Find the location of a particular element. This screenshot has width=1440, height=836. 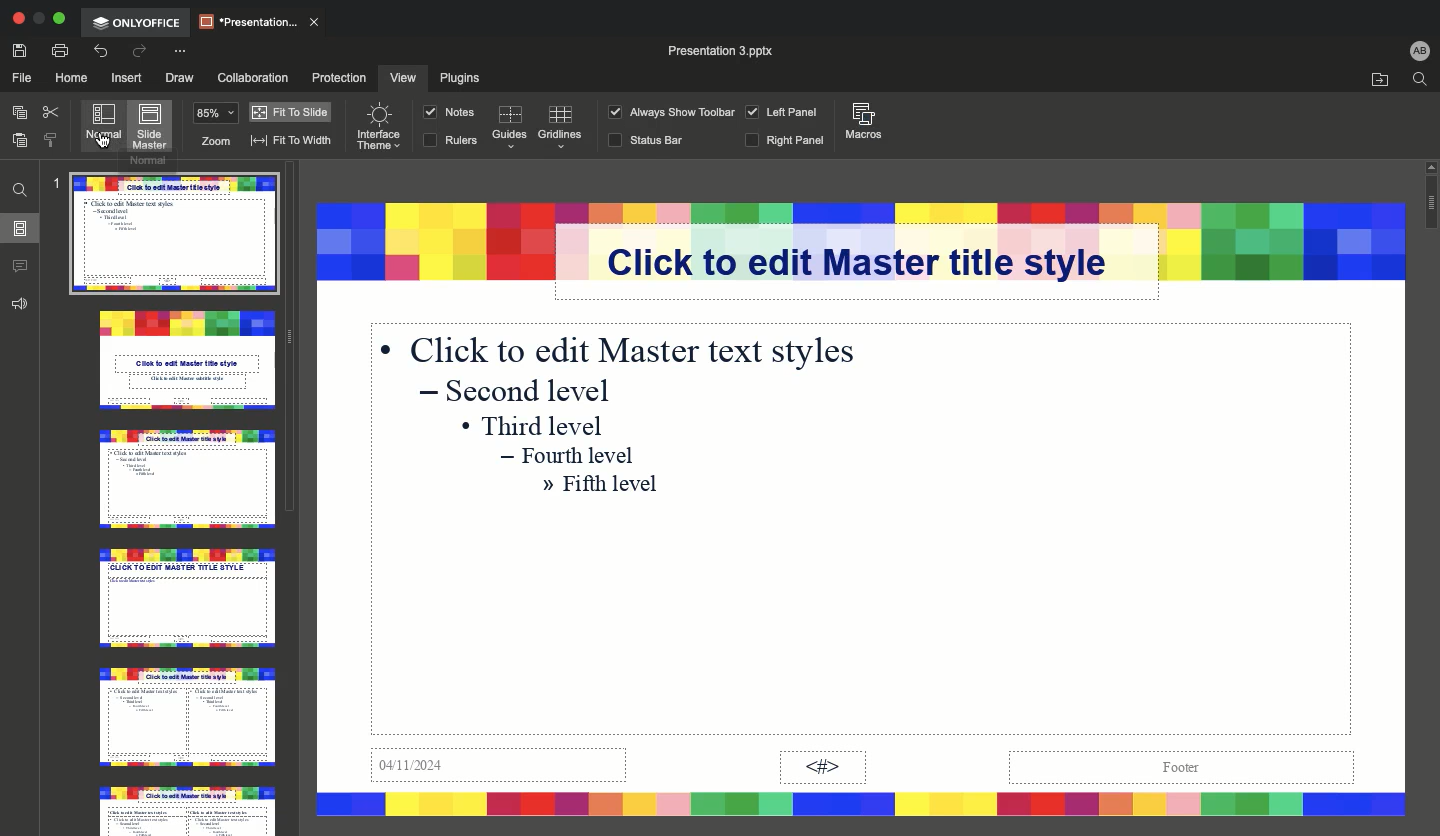

Macros is located at coordinates (864, 122).